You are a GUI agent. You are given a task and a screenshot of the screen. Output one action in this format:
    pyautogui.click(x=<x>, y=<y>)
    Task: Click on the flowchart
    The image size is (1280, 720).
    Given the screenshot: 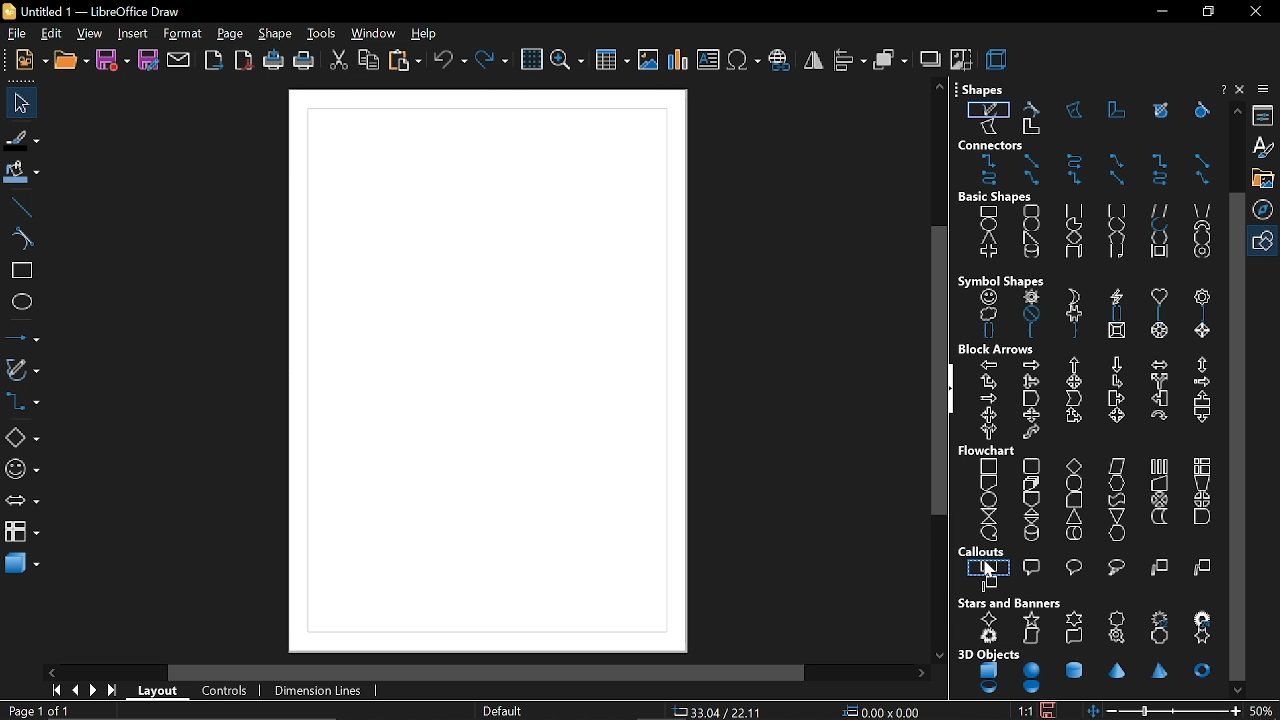 What is the action you would take?
    pyautogui.click(x=986, y=450)
    